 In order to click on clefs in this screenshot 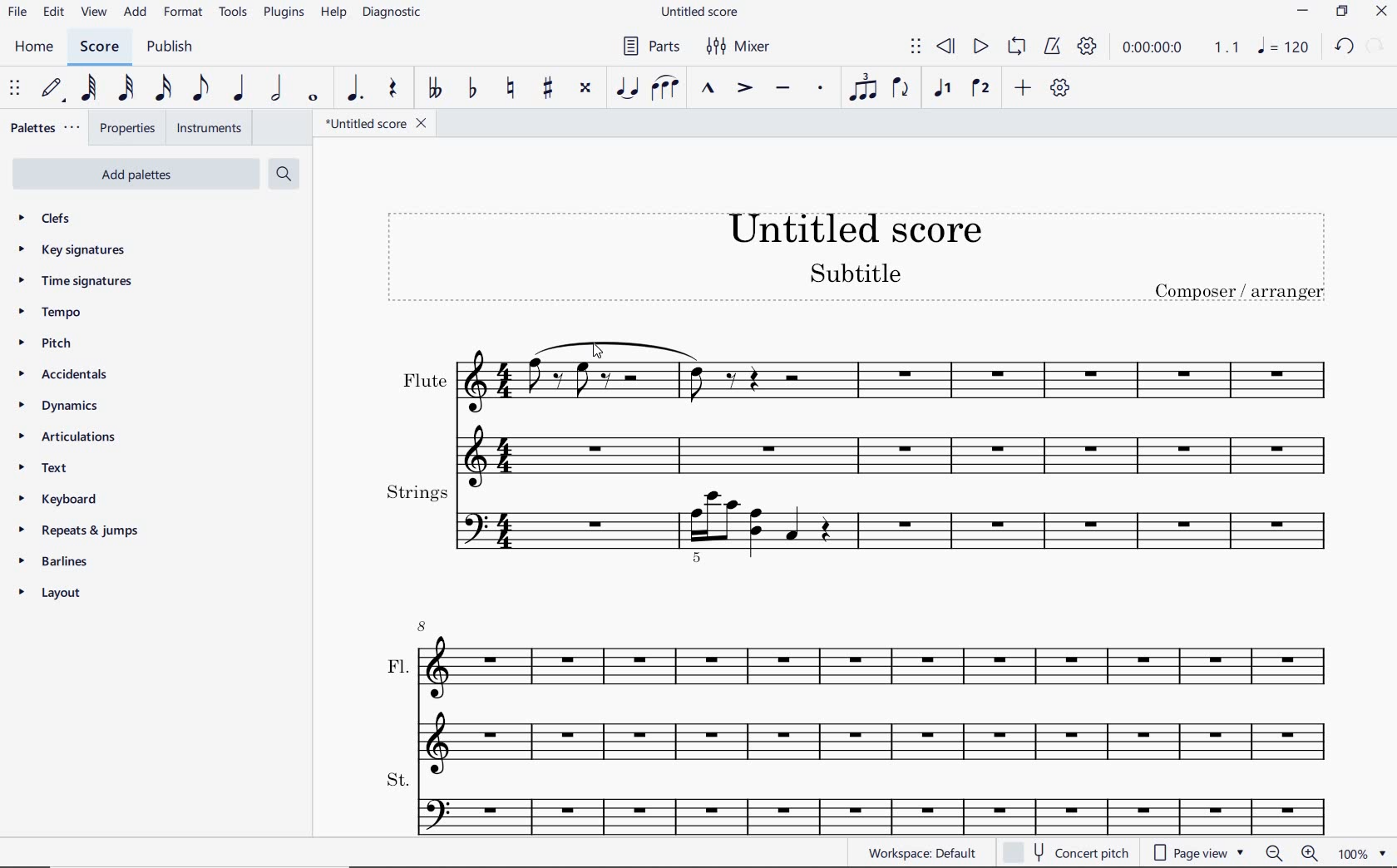, I will do `click(54, 220)`.